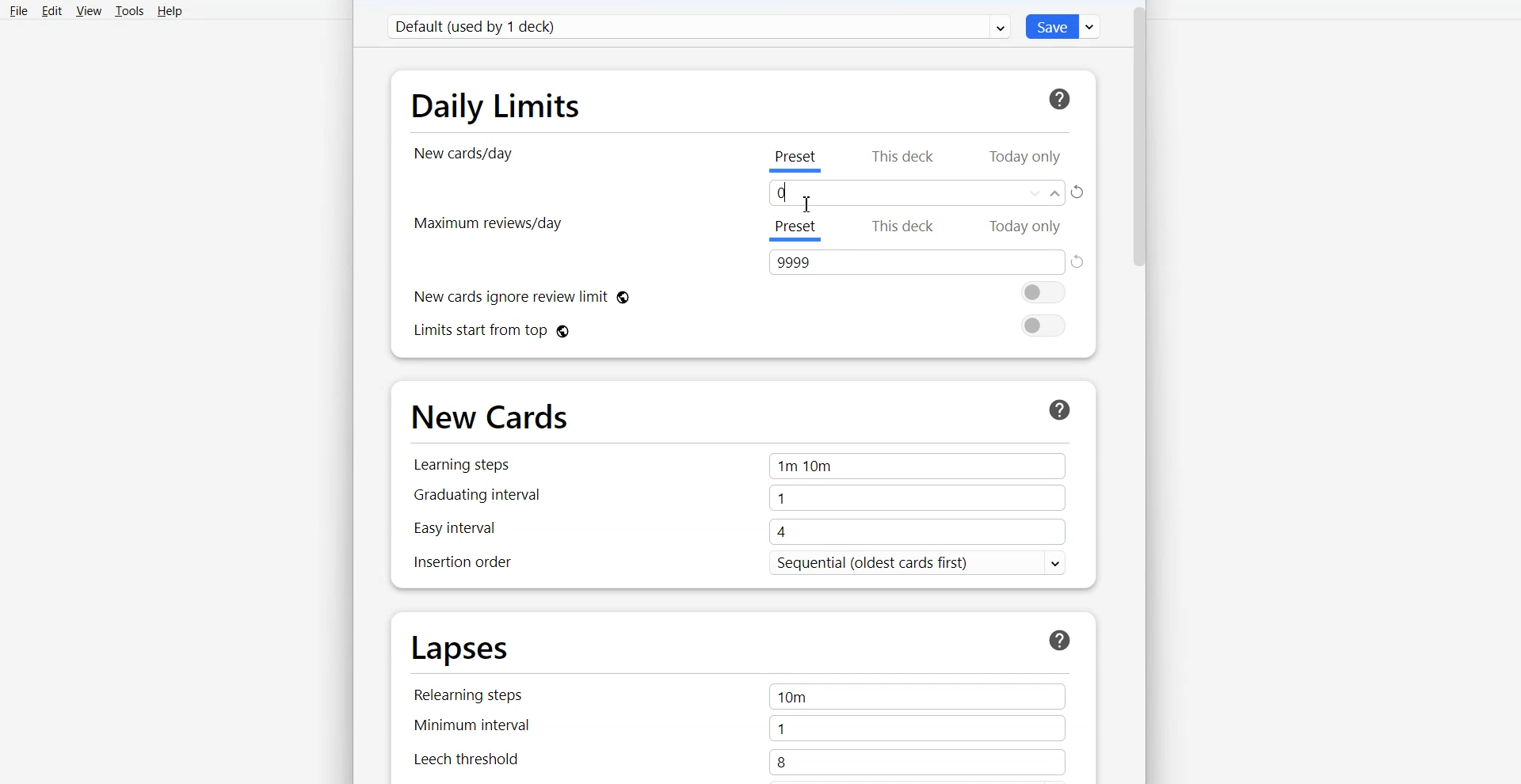  Describe the element at coordinates (490, 533) in the screenshot. I see `Easy interval` at that location.